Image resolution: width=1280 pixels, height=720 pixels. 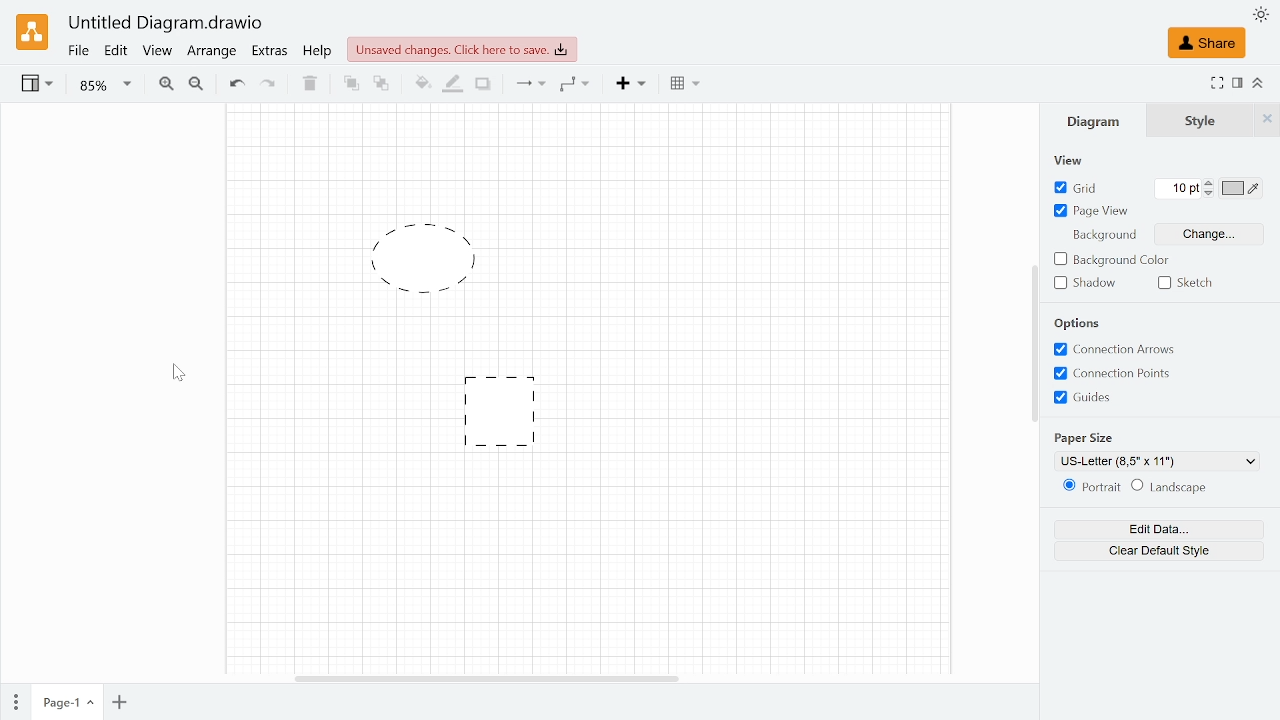 What do you see at coordinates (1218, 83) in the screenshot?
I see `` at bounding box center [1218, 83].